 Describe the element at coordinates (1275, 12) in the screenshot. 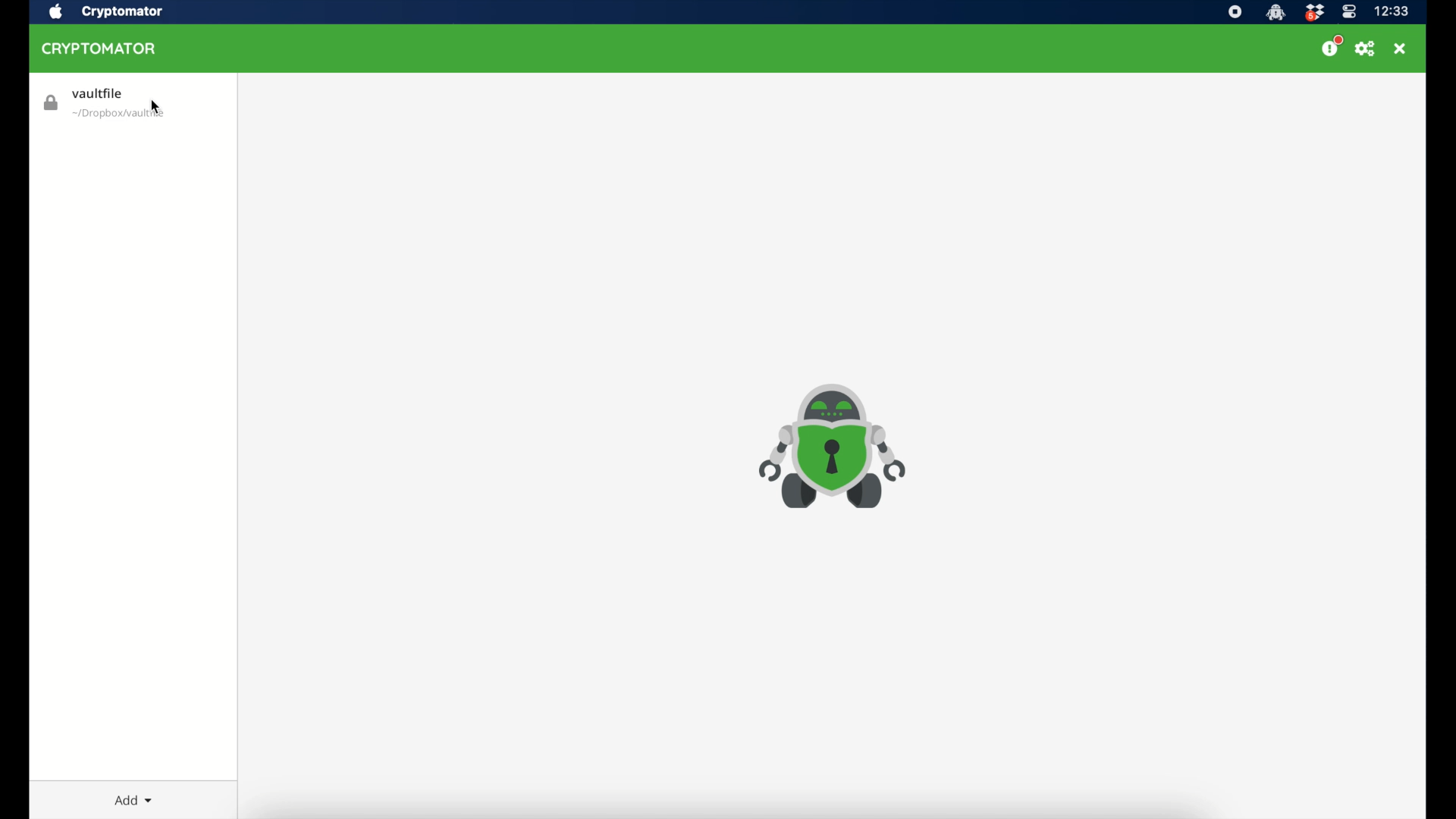

I see `cryptomator icon` at that location.